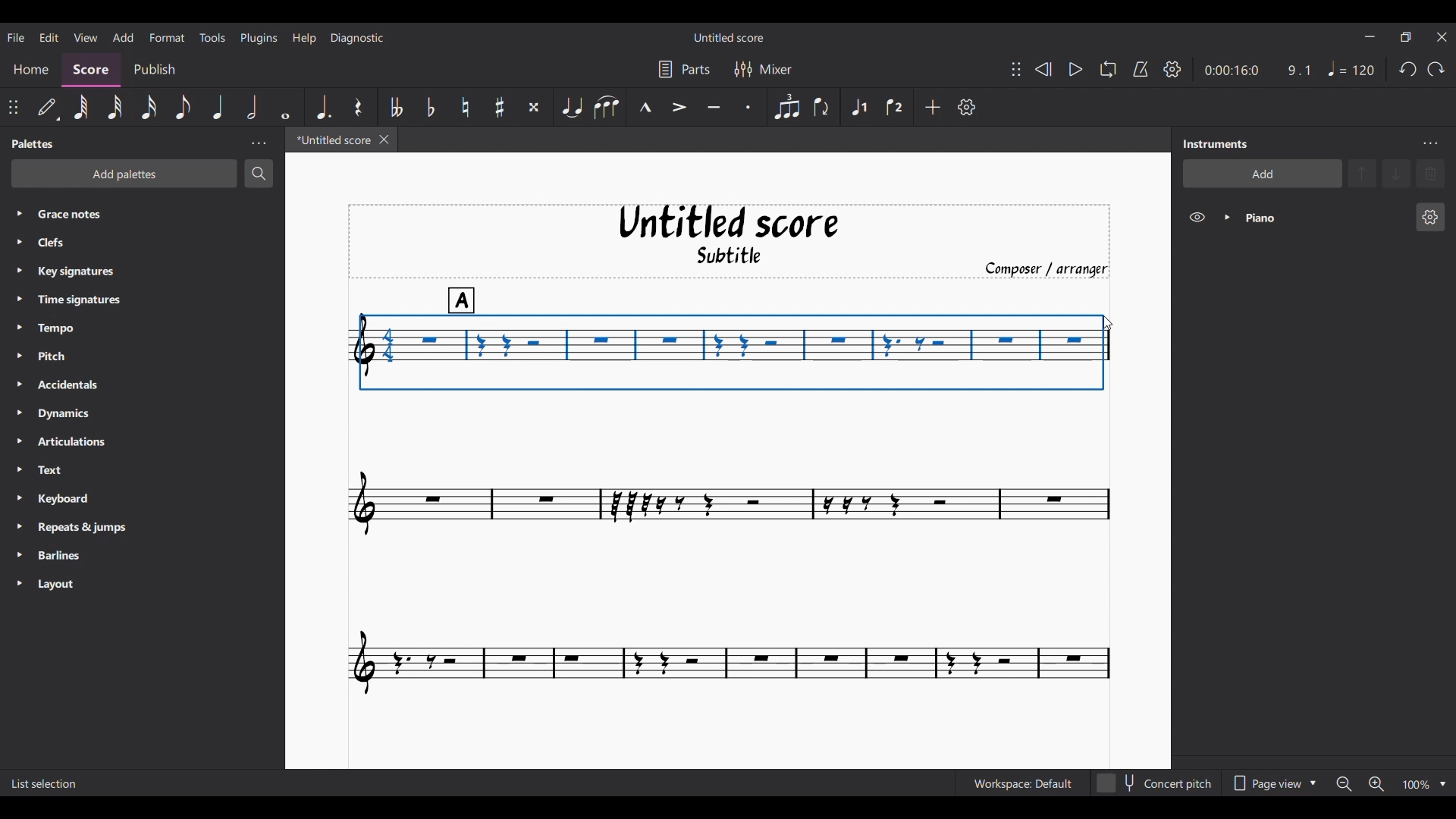 The image size is (1456, 819). I want to click on Undo, so click(1407, 69).